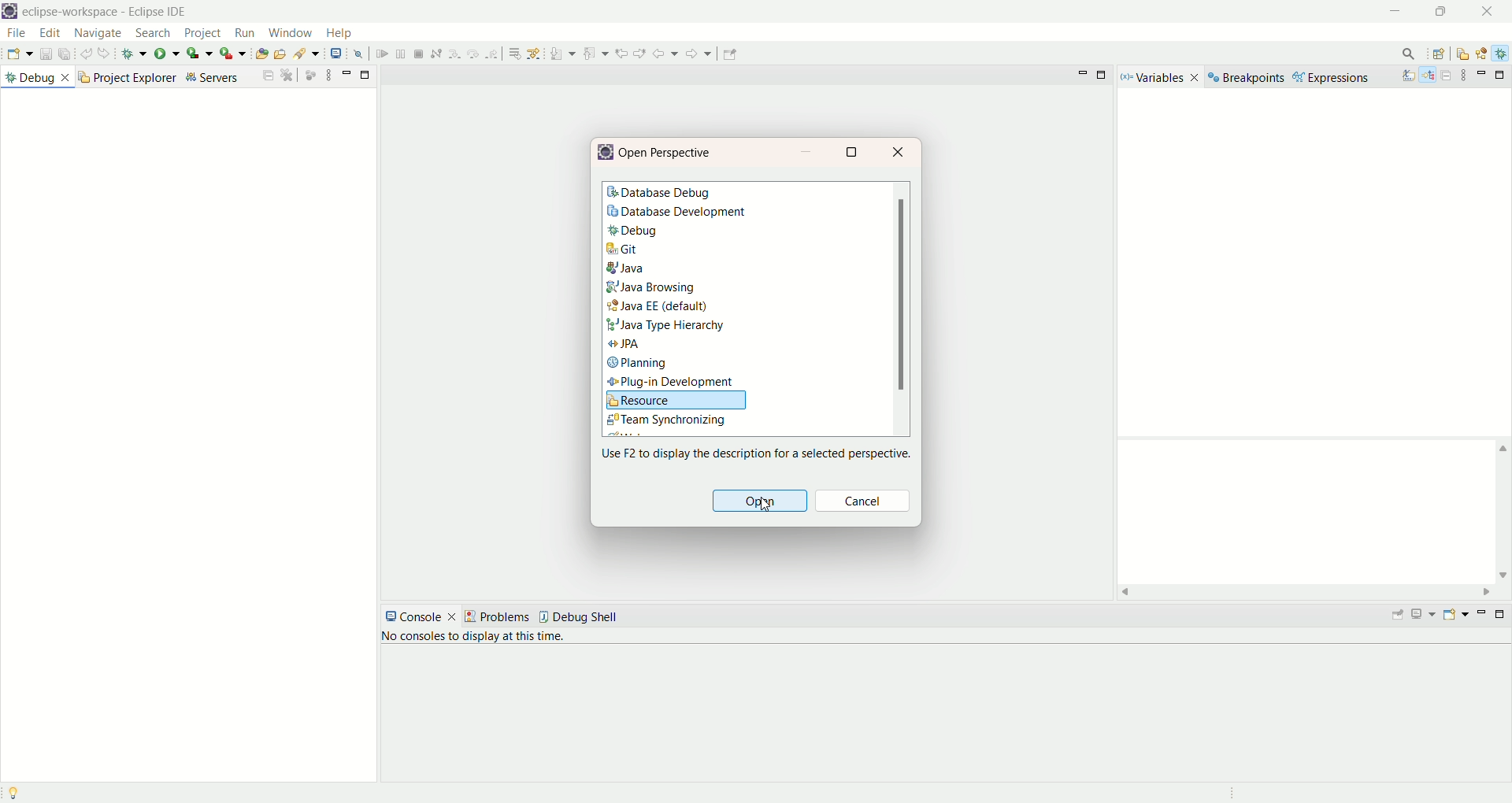 The height and width of the screenshot is (803, 1512). I want to click on breakpoints, so click(1246, 78).